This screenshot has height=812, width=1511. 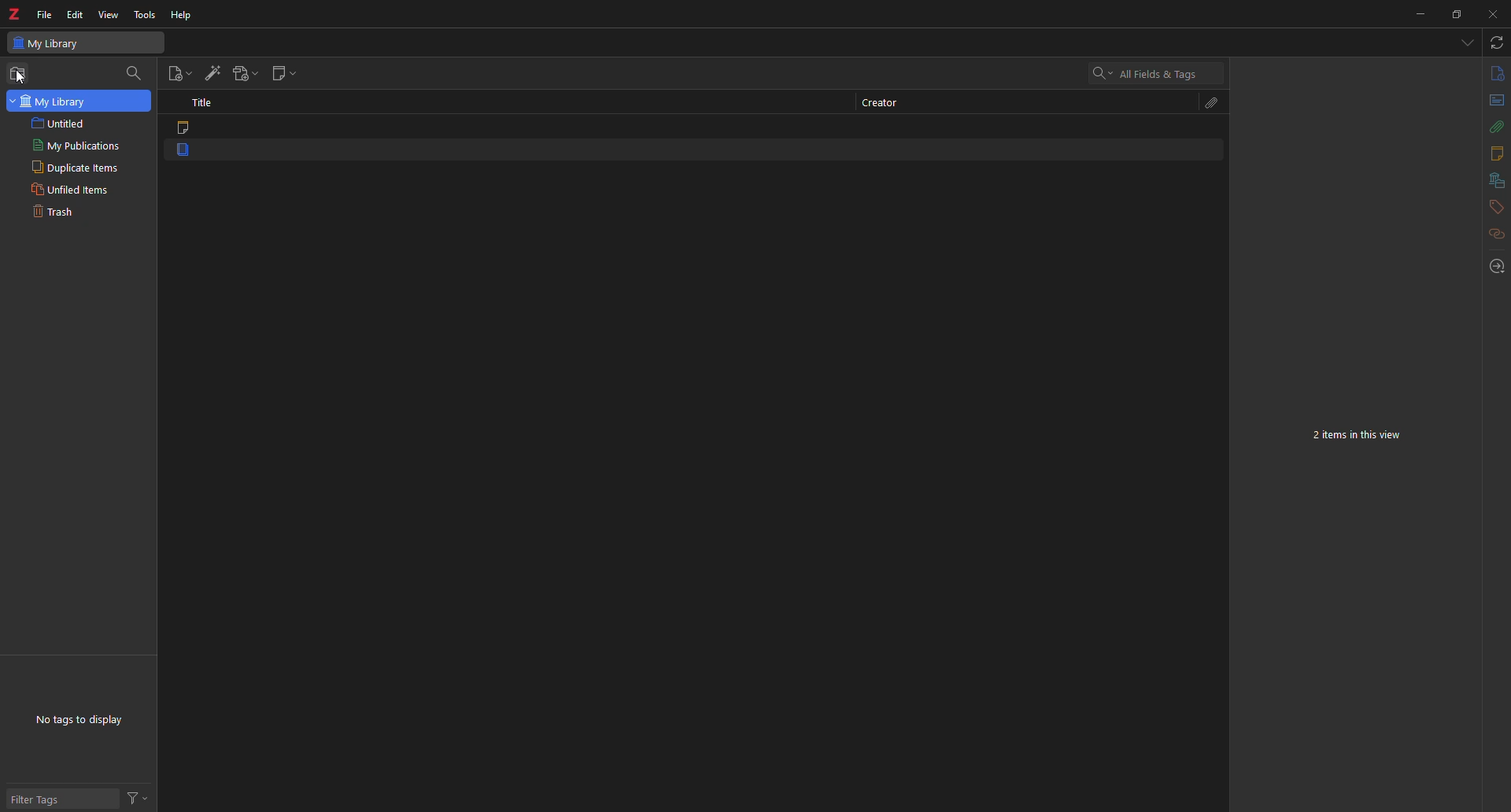 What do you see at coordinates (179, 73) in the screenshot?
I see `new item` at bounding box center [179, 73].